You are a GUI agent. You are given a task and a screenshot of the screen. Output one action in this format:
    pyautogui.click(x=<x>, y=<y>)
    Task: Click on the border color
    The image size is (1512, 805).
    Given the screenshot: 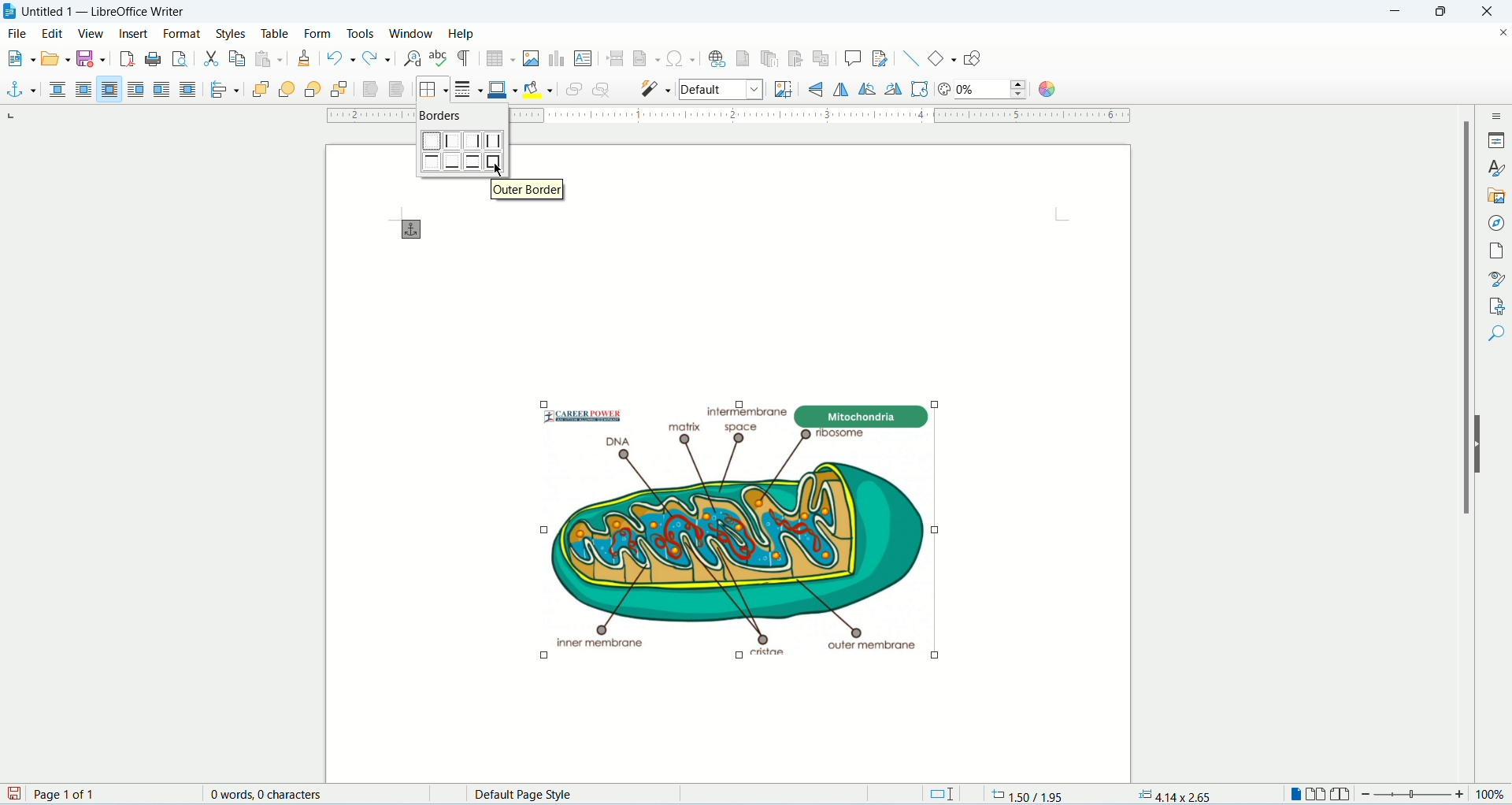 What is the action you would take?
    pyautogui.click(x=502, y=88)
    